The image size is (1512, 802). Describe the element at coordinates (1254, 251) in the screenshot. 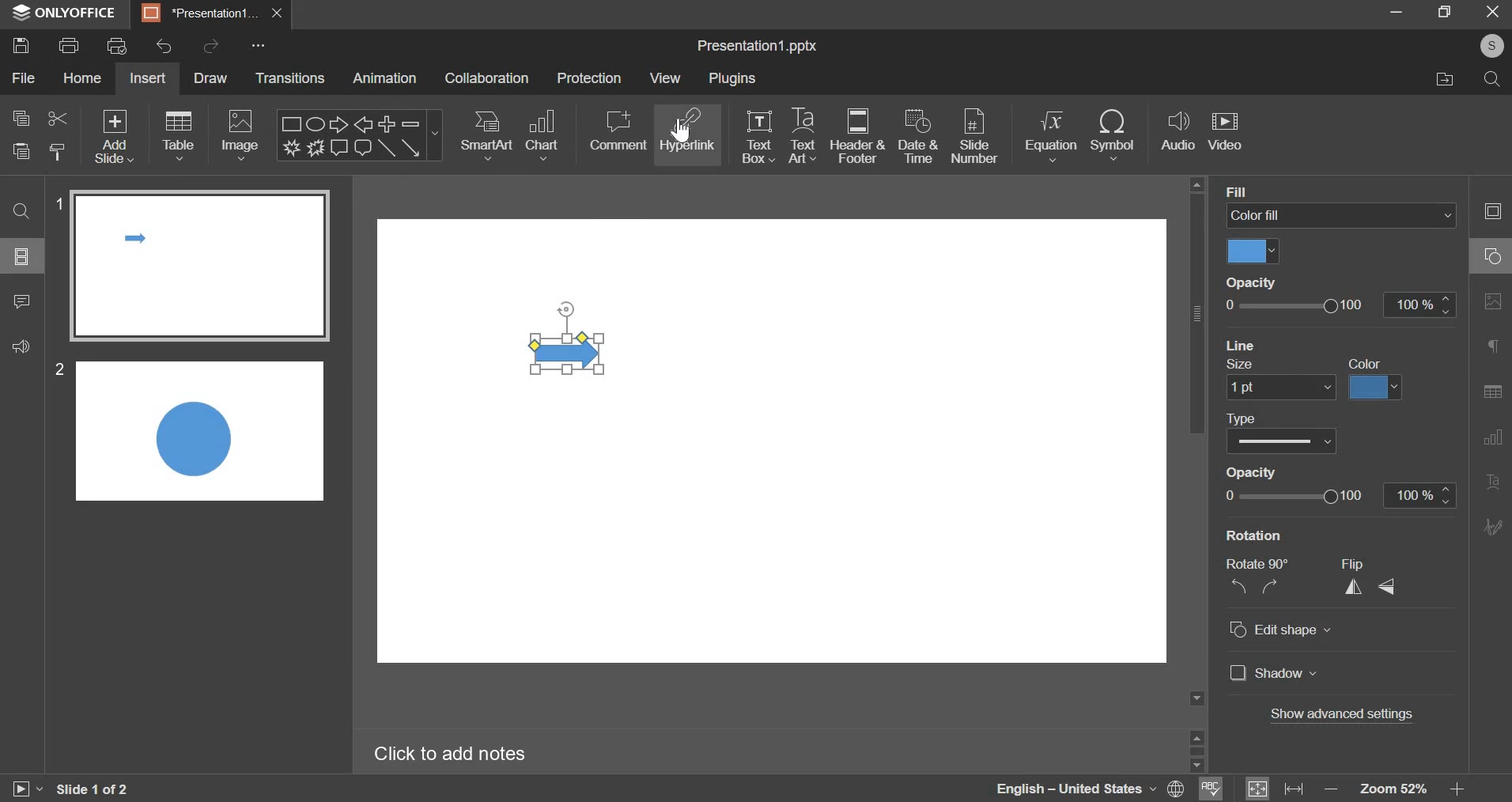

I see `select fill color` at that location.